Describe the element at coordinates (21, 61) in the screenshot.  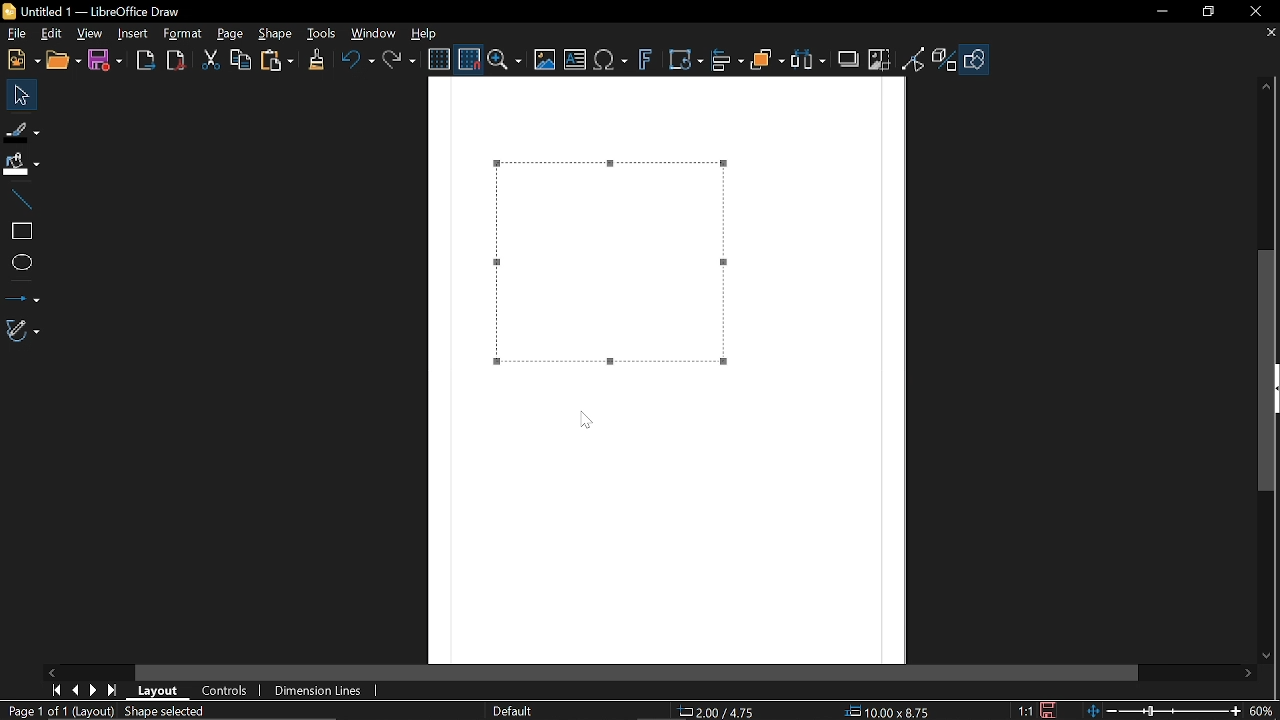
I see `New` at that location.